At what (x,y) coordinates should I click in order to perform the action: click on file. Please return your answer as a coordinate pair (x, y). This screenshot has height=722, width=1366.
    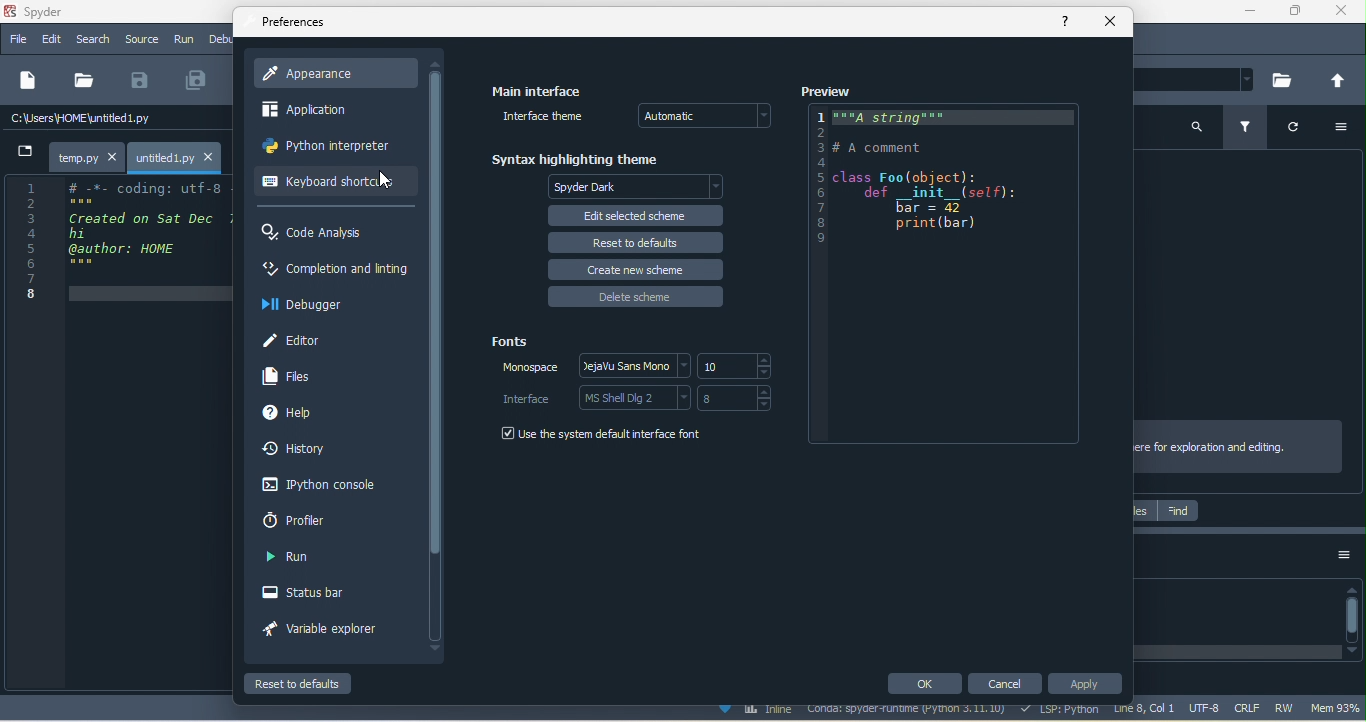
    Looking at the image, I should click on (17, 39).